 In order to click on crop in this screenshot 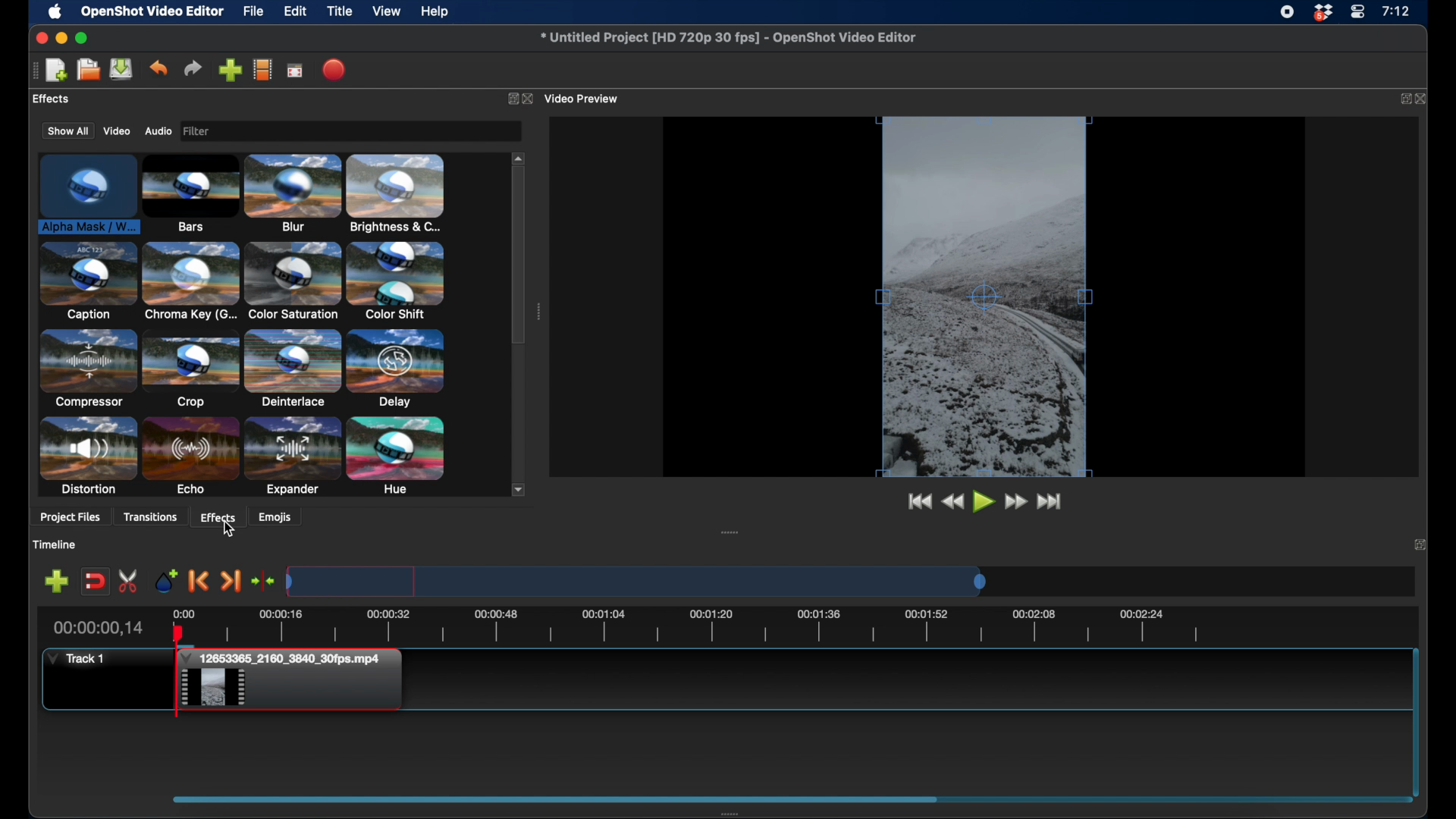, I will do `click(190, 369)`.